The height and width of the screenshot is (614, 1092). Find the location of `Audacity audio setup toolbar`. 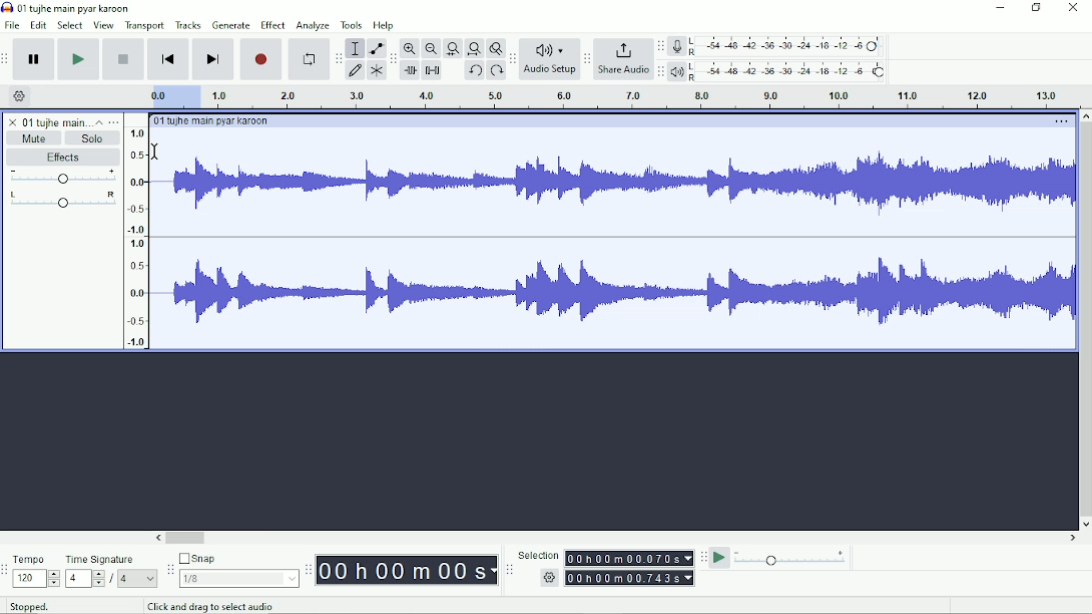

Audacity audio setup toolbar is located at coordinates (512, 59).